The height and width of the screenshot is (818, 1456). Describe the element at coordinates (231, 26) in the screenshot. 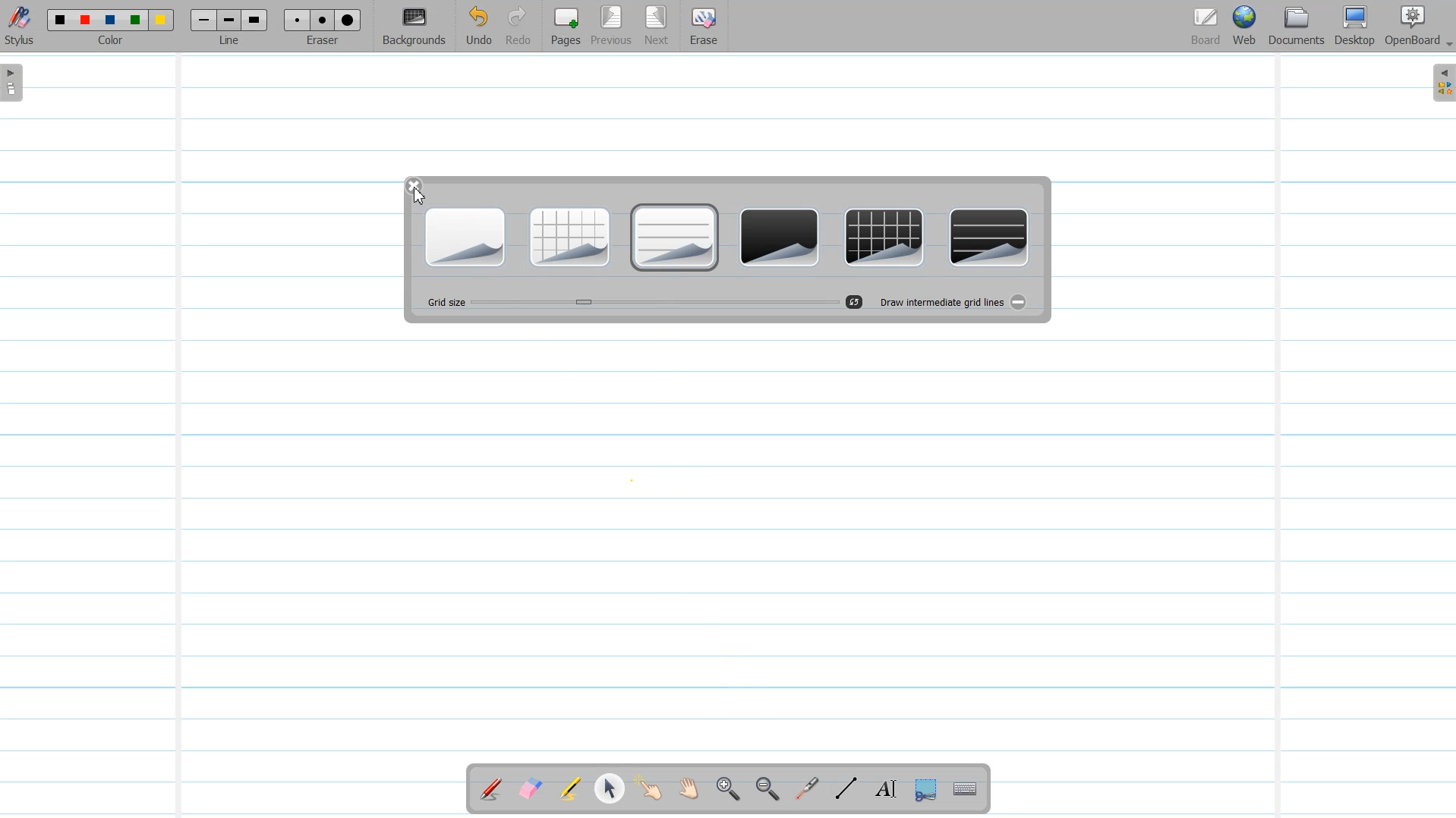

I see `Line` at that location.